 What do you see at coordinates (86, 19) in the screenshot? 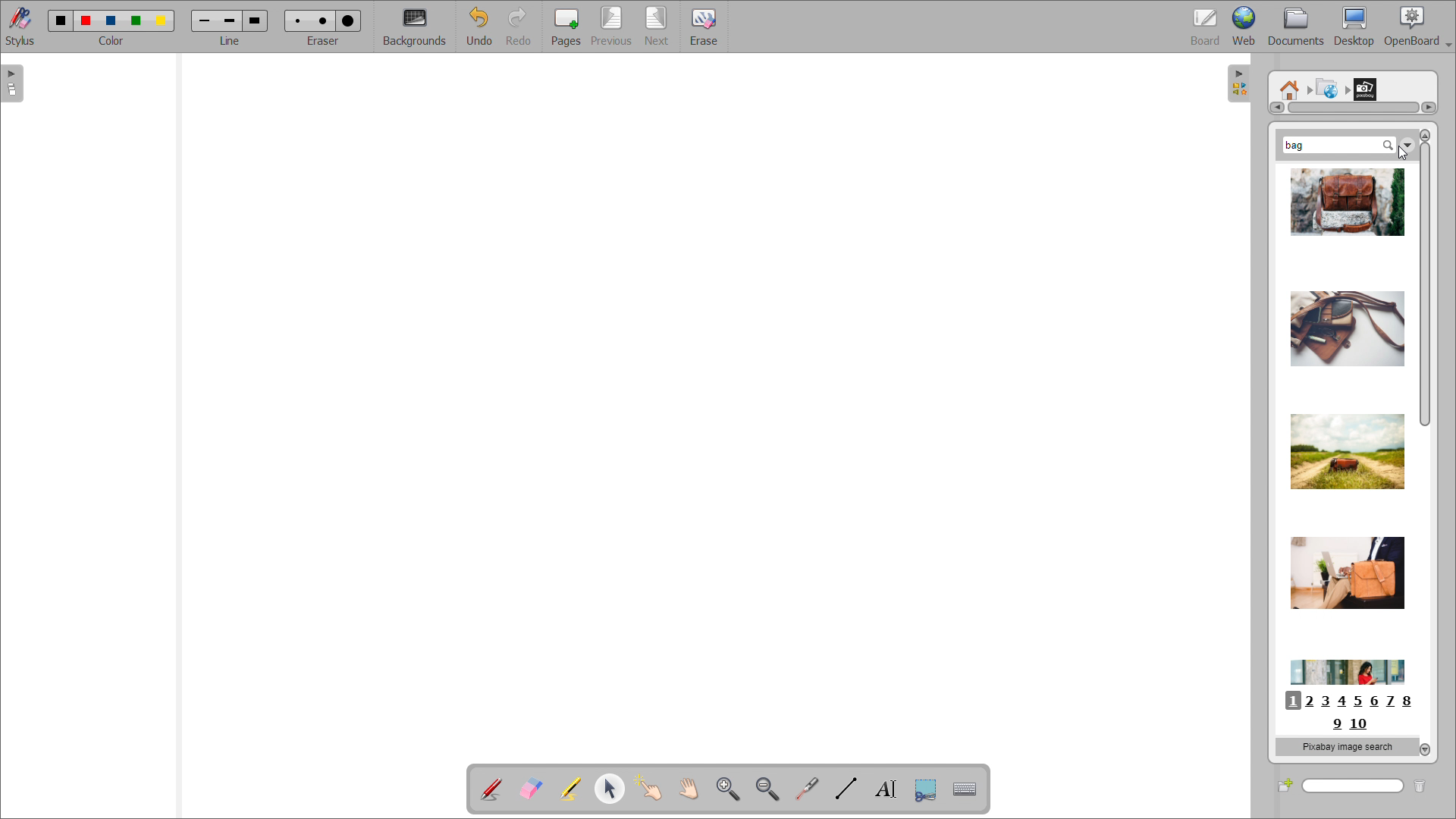
I see `Color 2` at bounding box center [86, 19].